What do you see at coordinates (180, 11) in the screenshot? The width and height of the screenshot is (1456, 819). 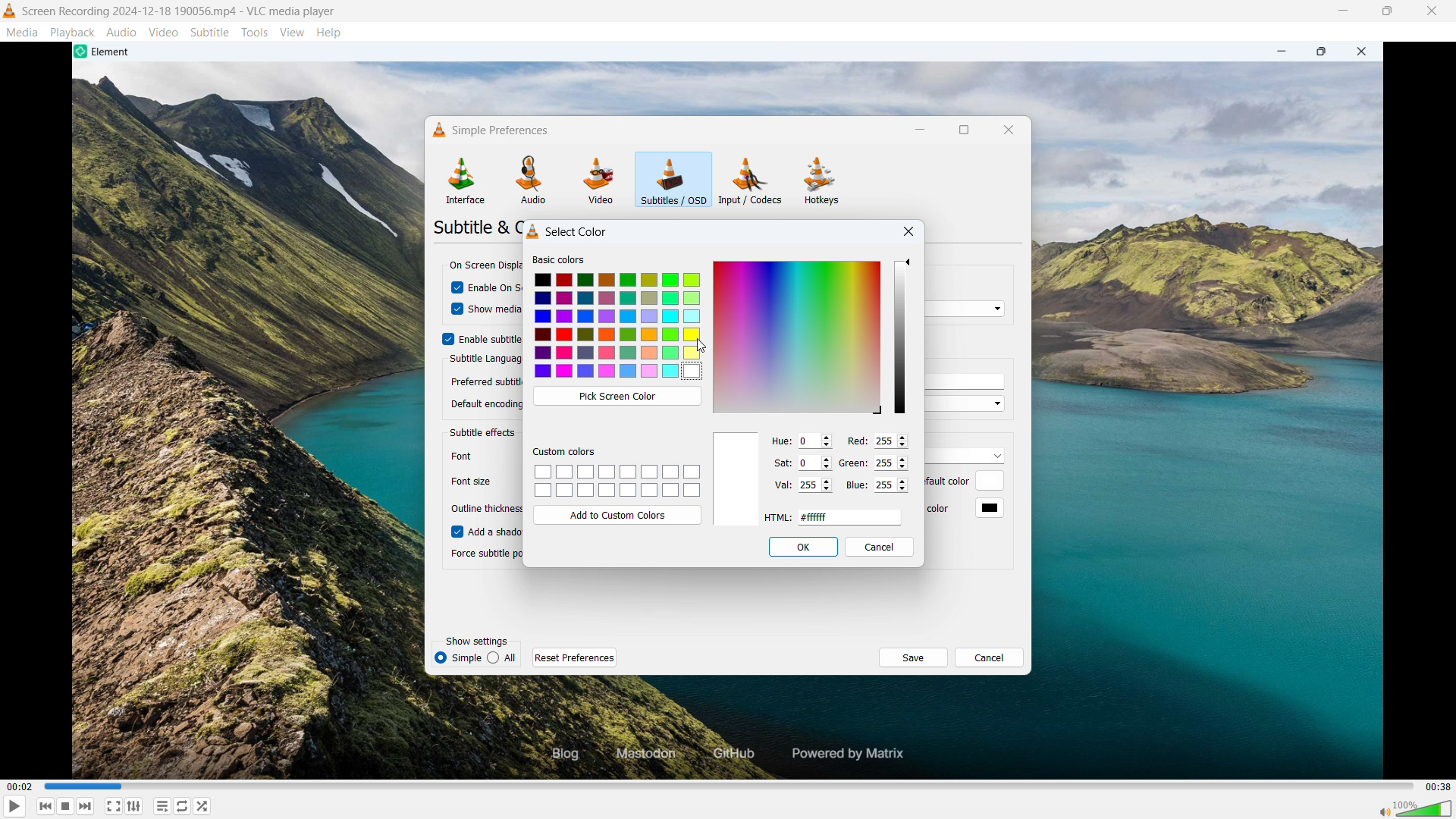 I see `File name ` at bounding box center [180, 11].